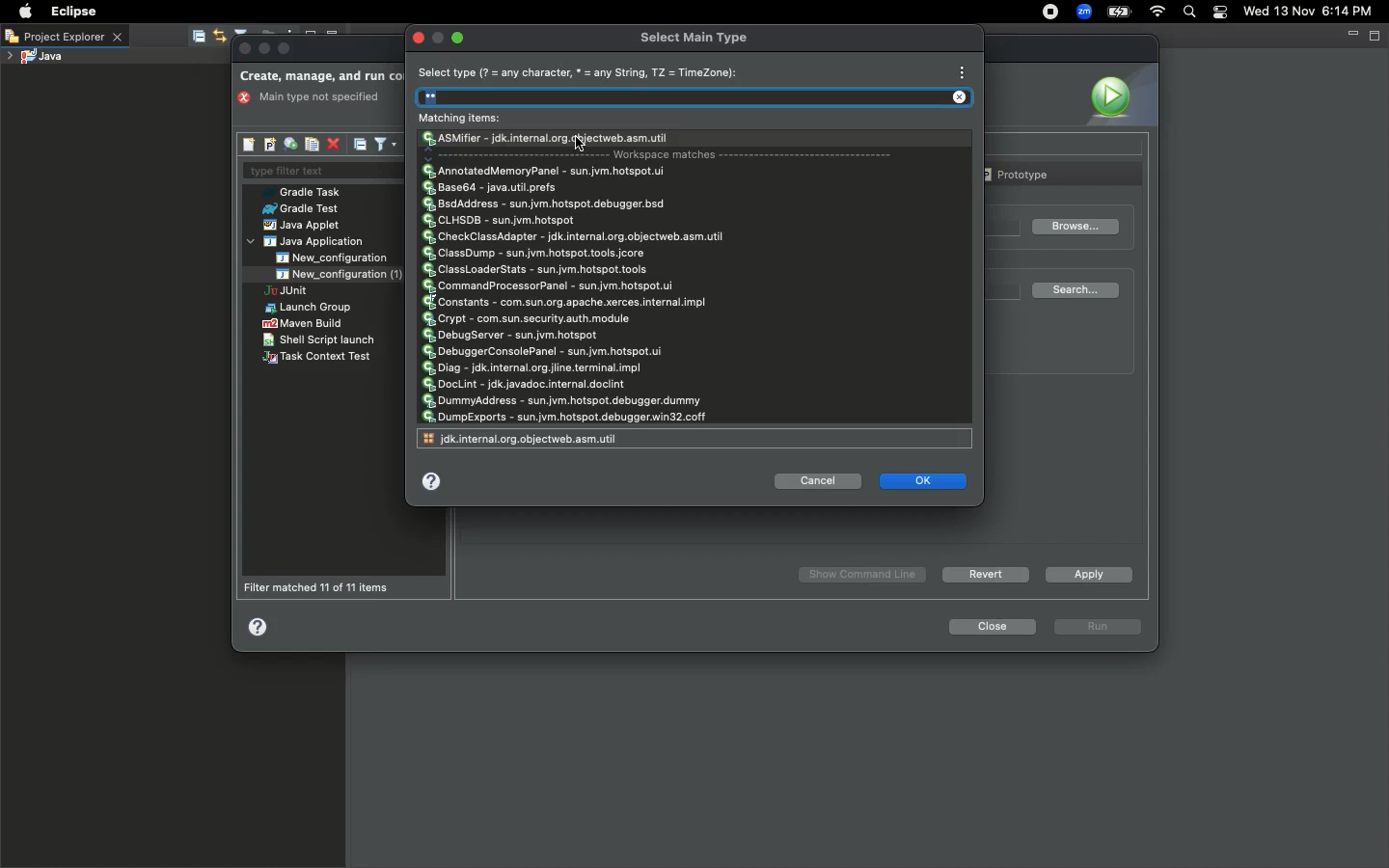 The image size is (1389, 868). I want to click on Browse, so click(1074, 228).